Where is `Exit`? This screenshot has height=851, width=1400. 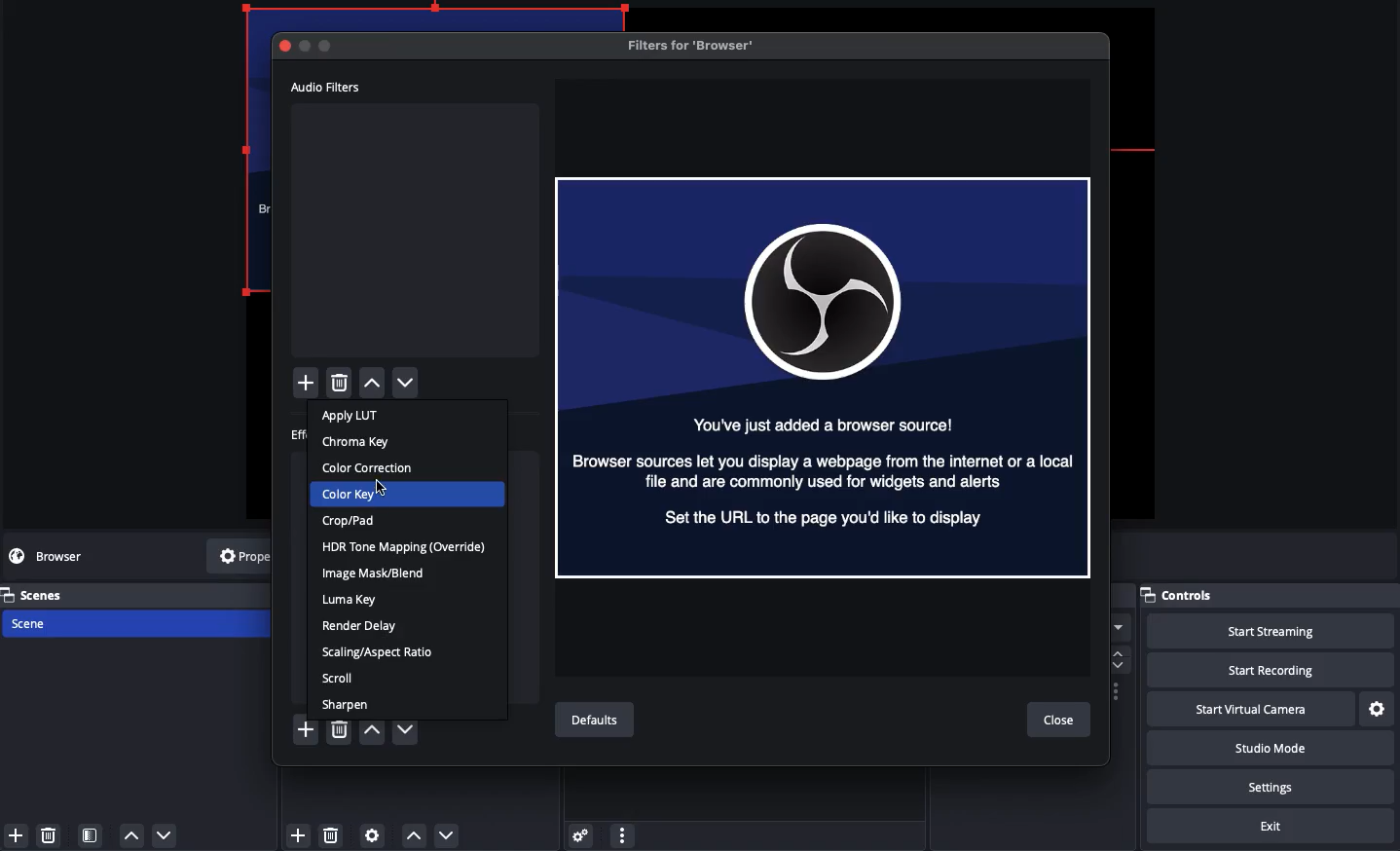
Exit is located at coordinates (1274, 826).